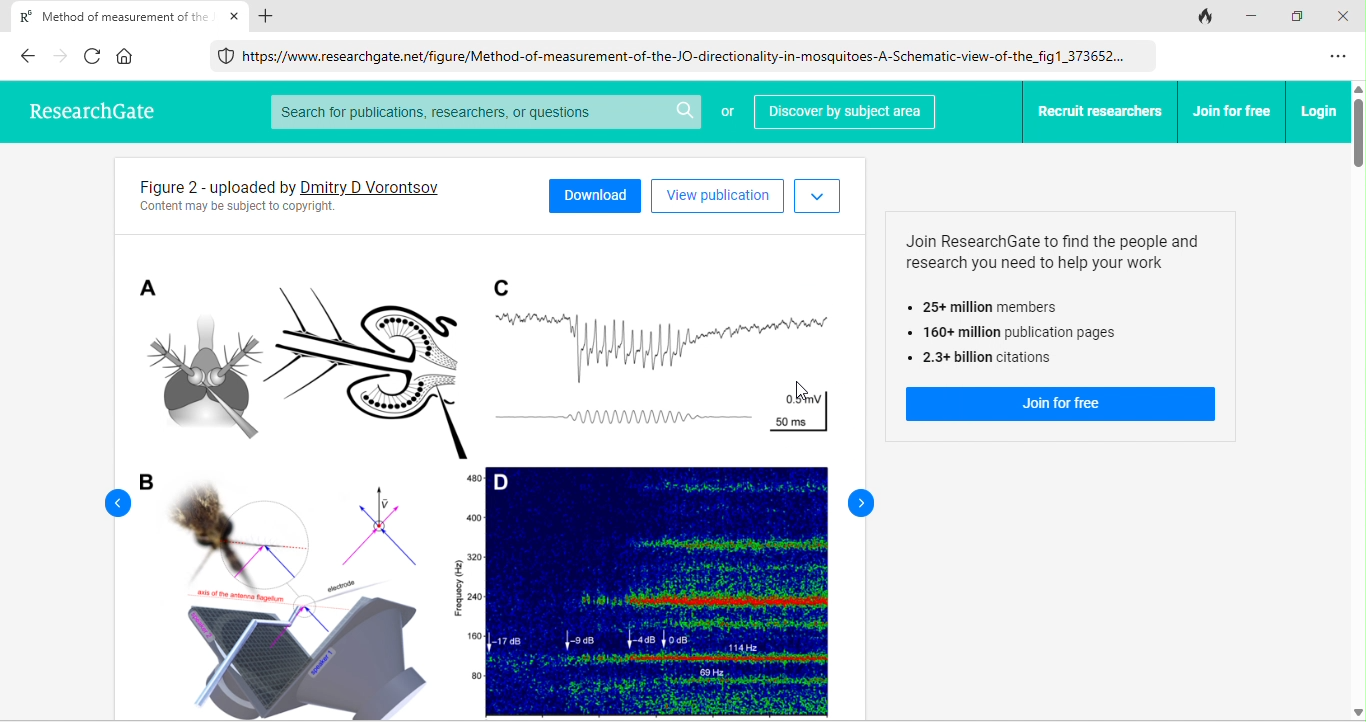  What do you see at coordinates (1062, 299) in the screenshot?
I see `Here is the transcription of the image:  ---  **Join ResearchGate to find the people and research you need to help your work**  - 25+ million members   - 160+ million publication pages   - 2.3+ billion citations  ` at bounding box center [1062, 299].